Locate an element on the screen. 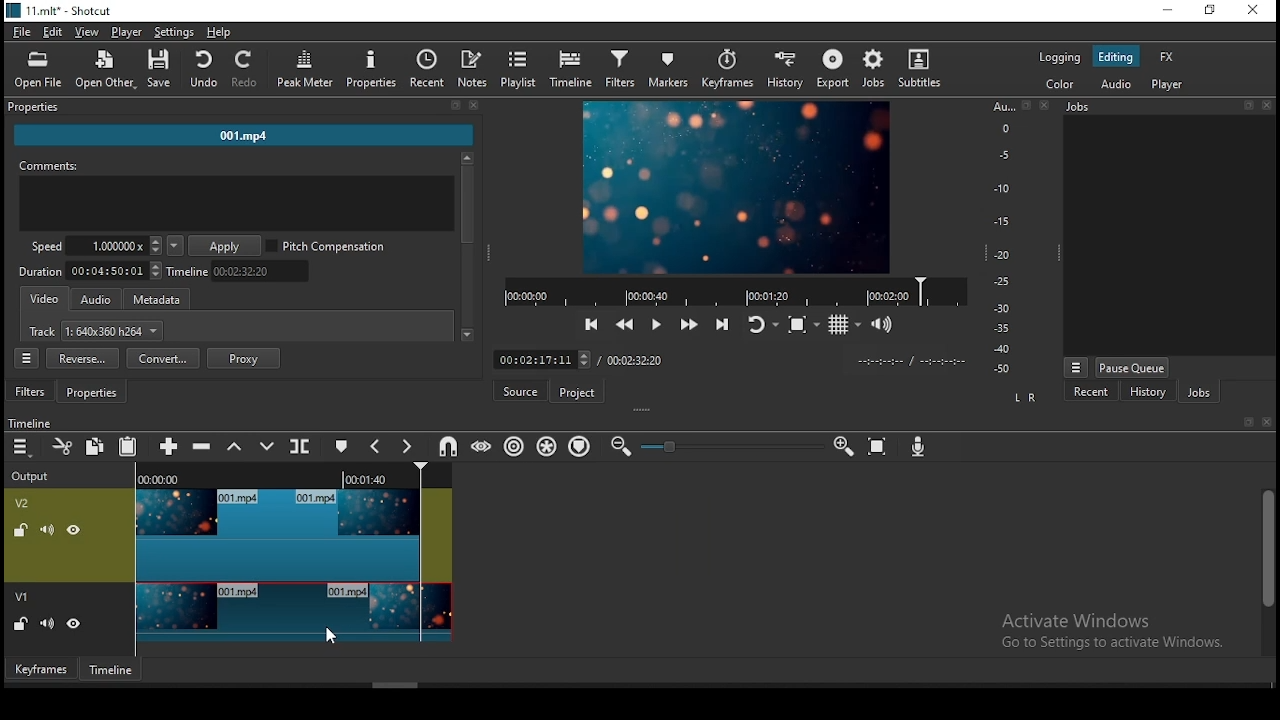  L R is located at coordinates (1024, 399).